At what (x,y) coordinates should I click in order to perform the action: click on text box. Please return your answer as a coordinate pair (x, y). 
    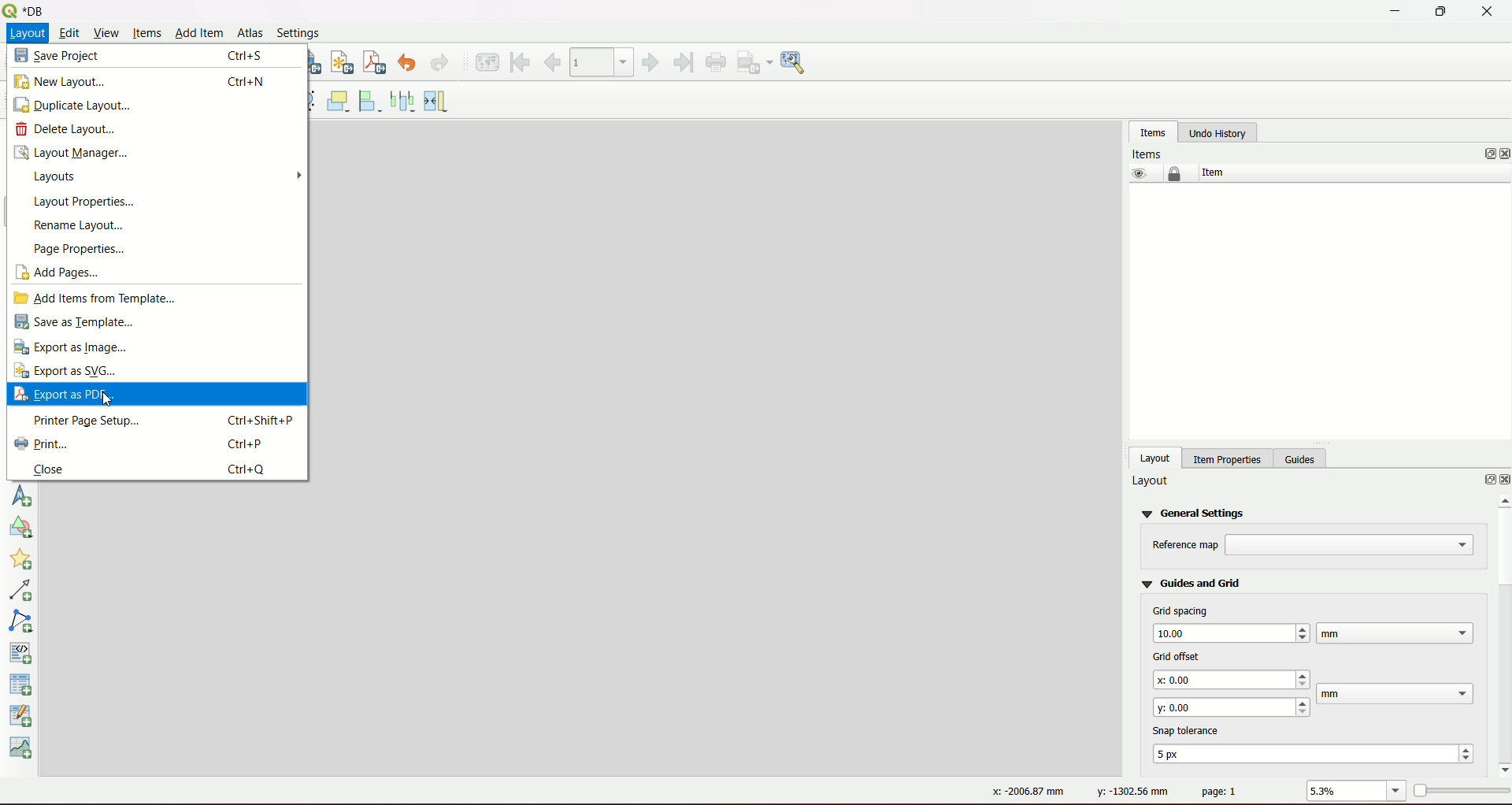
    Looking at the image, I should click on (1230, 632).